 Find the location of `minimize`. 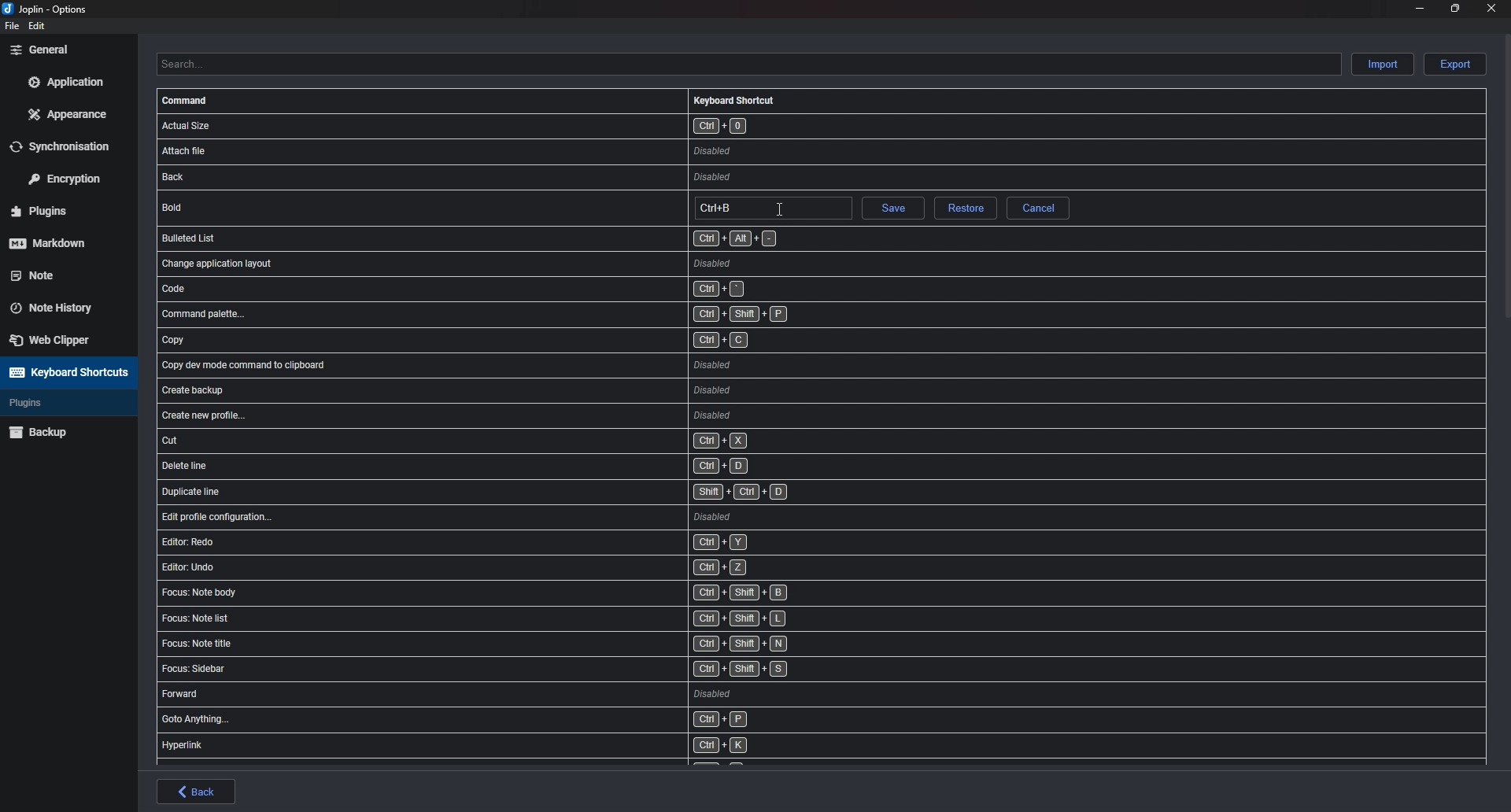

minimize is located at coordinates (1420, 7).